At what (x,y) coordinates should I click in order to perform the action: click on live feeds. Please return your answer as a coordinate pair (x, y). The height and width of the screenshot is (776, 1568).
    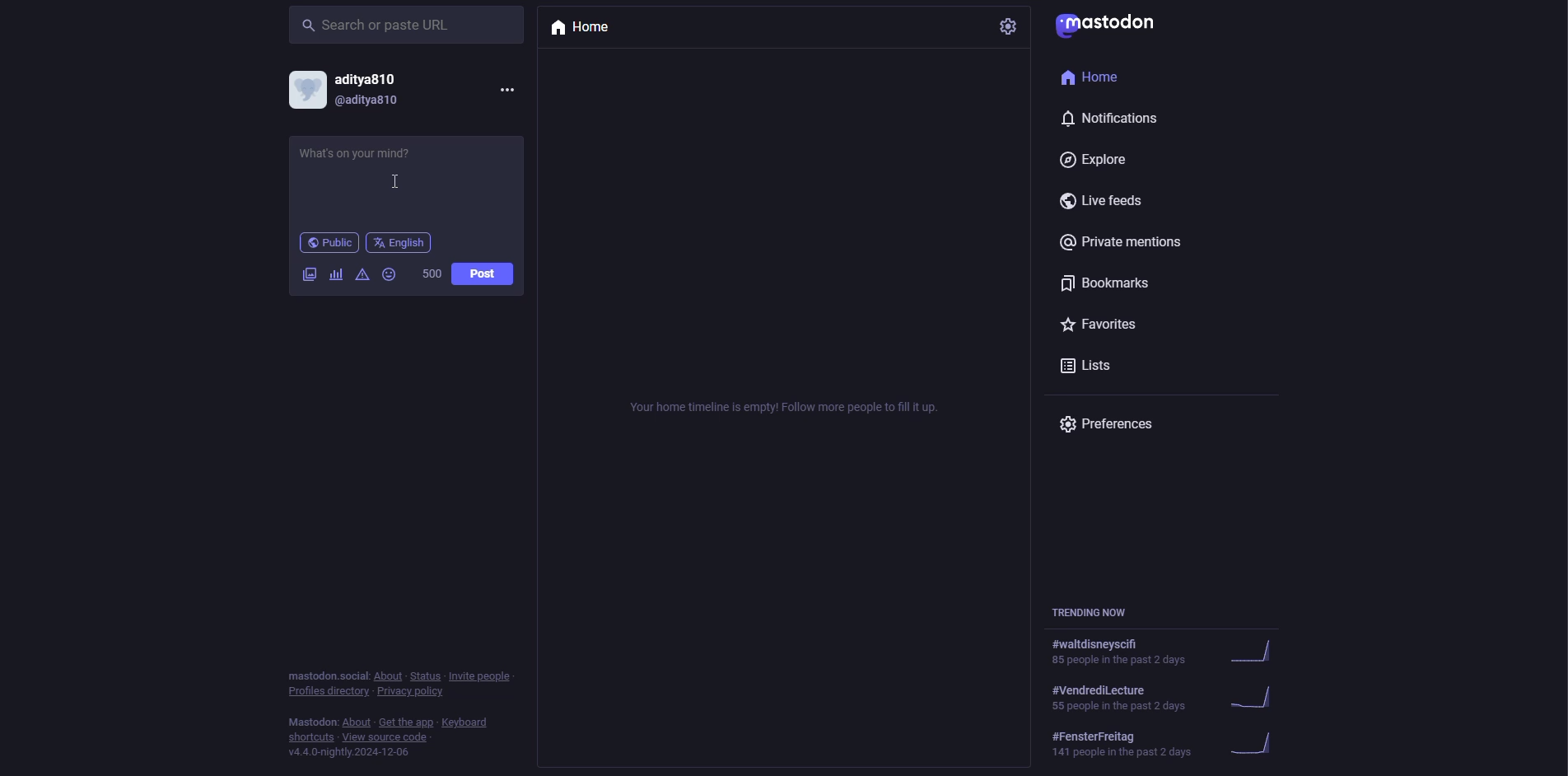
    Looking at the image, I should click on (1110, 203).